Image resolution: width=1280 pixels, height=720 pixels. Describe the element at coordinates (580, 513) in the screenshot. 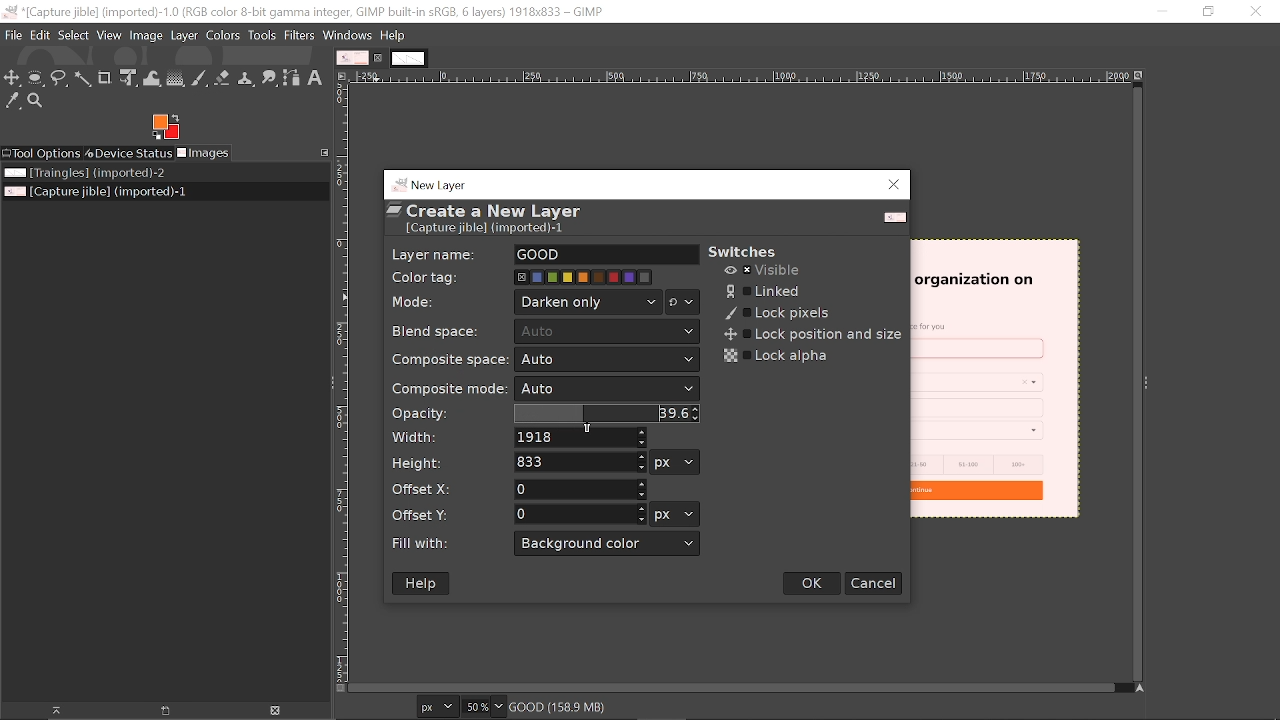

I see `offset Y` at that location.